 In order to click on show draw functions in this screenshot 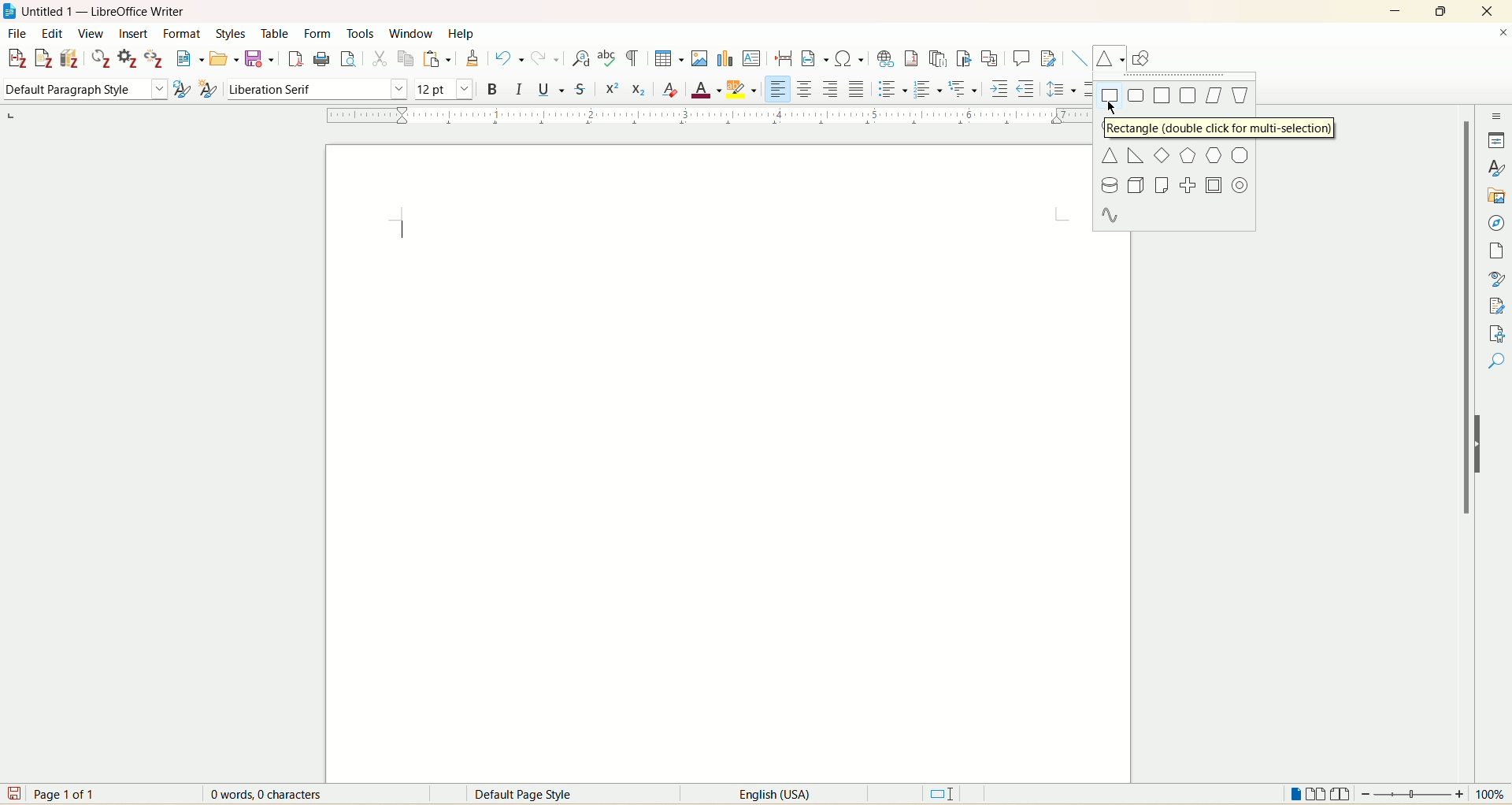, I will do `click(1143, 57)`.